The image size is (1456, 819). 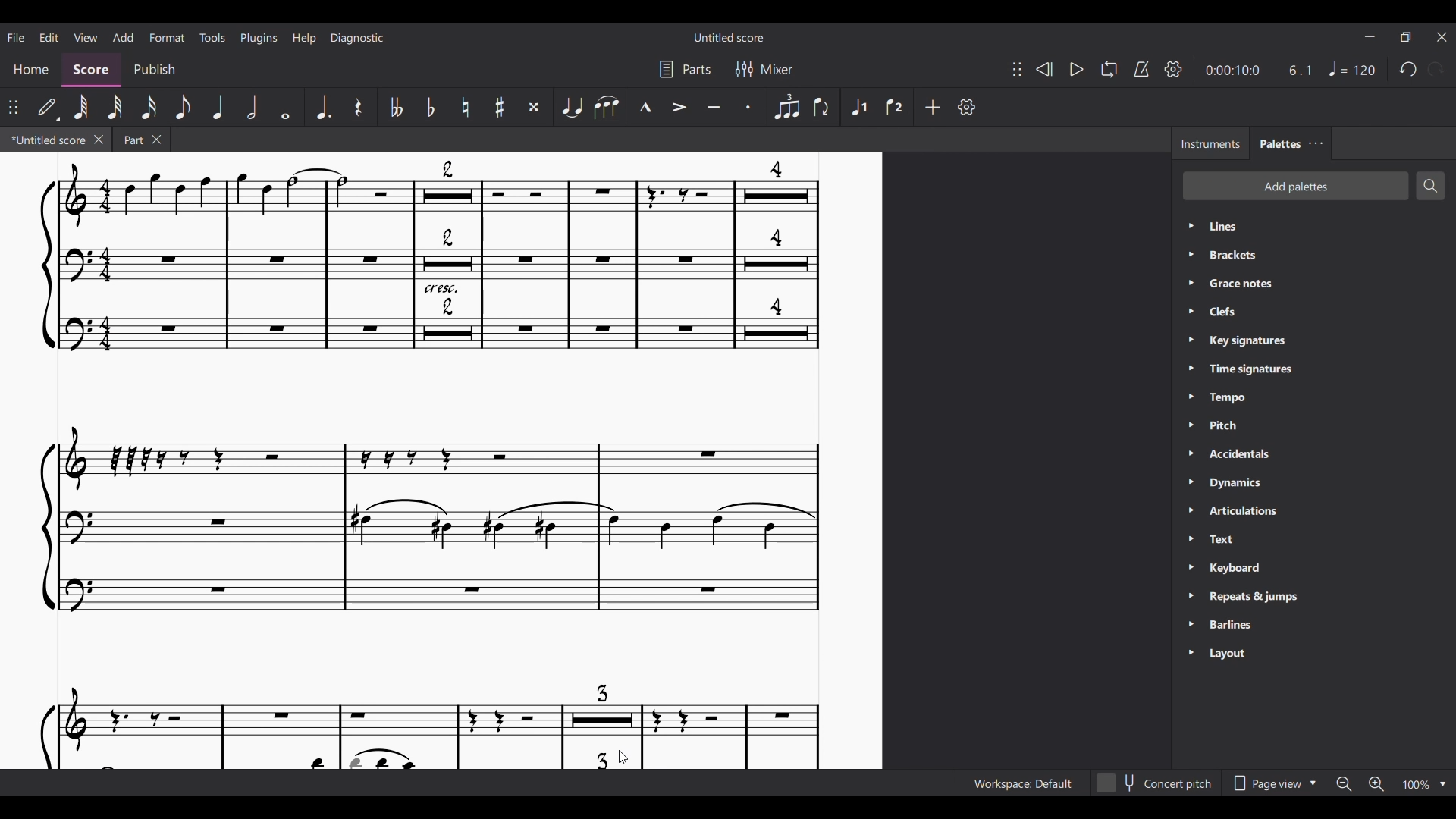 I want to click on Help menu, so click(x=304, y=38).